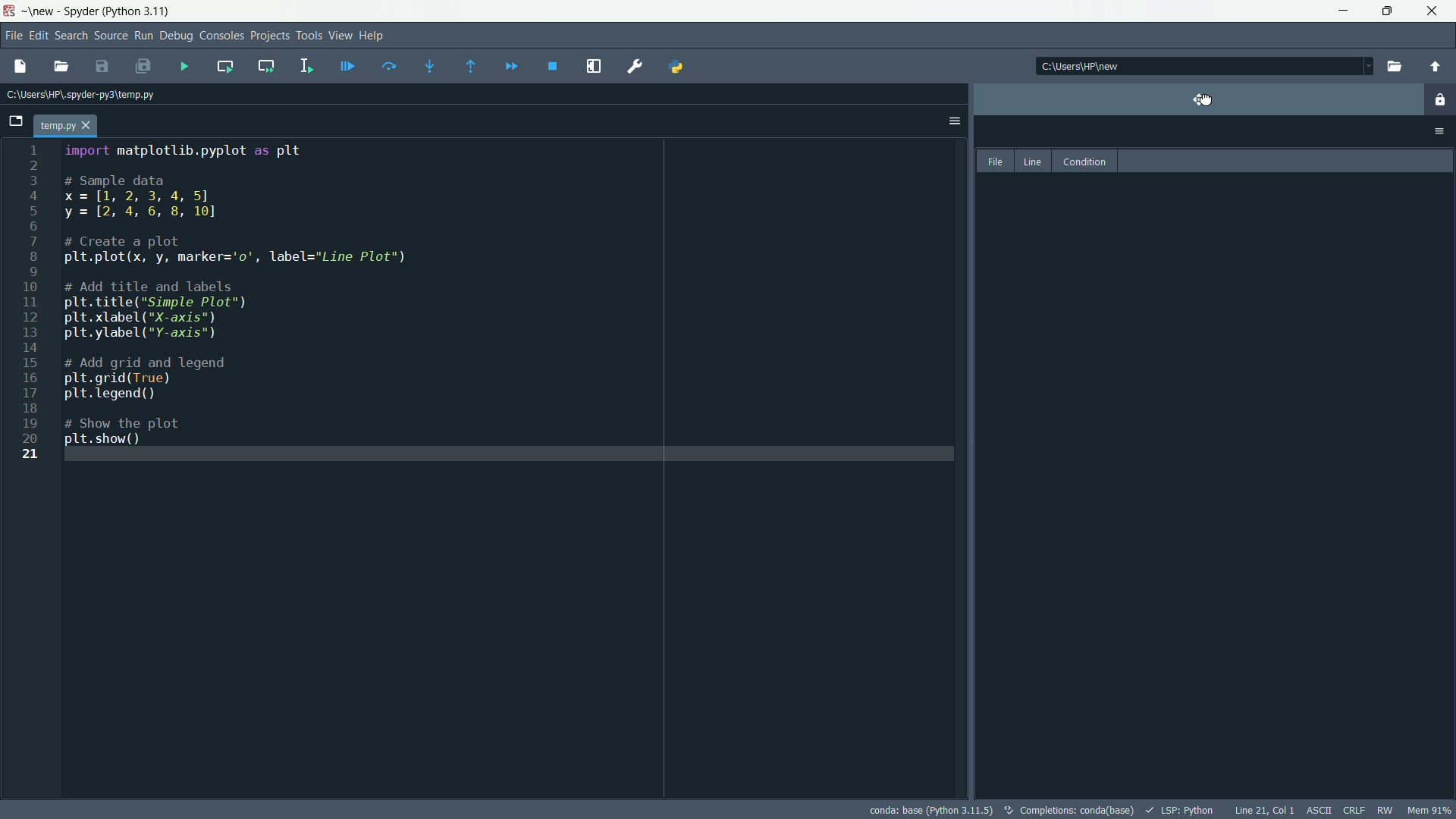  Describe the element at coordinates (17, 121) in the screenshot. I see `browse tab` at that location.